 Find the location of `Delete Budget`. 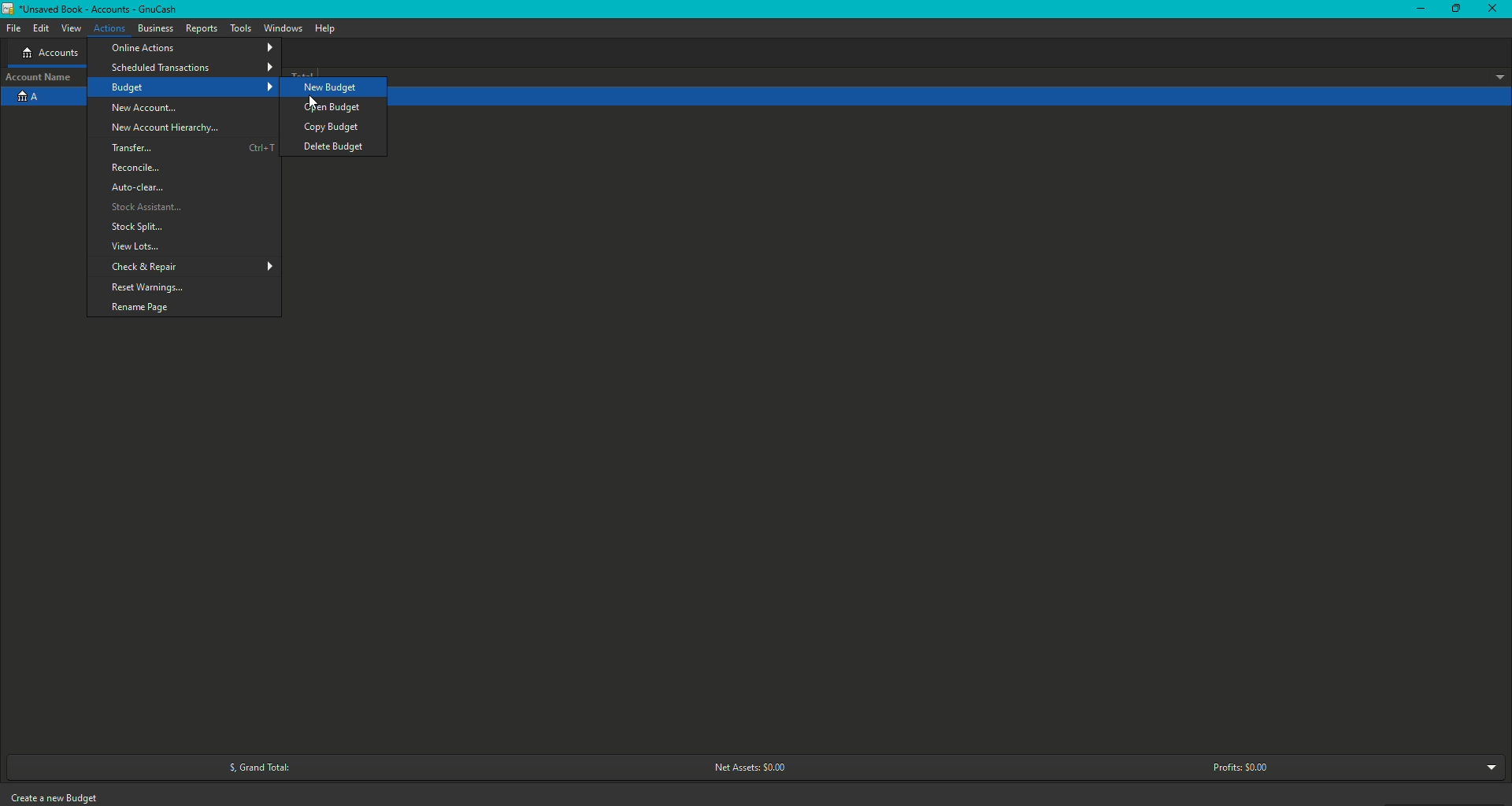

Delete Budget is located at coordinates (332, 147).